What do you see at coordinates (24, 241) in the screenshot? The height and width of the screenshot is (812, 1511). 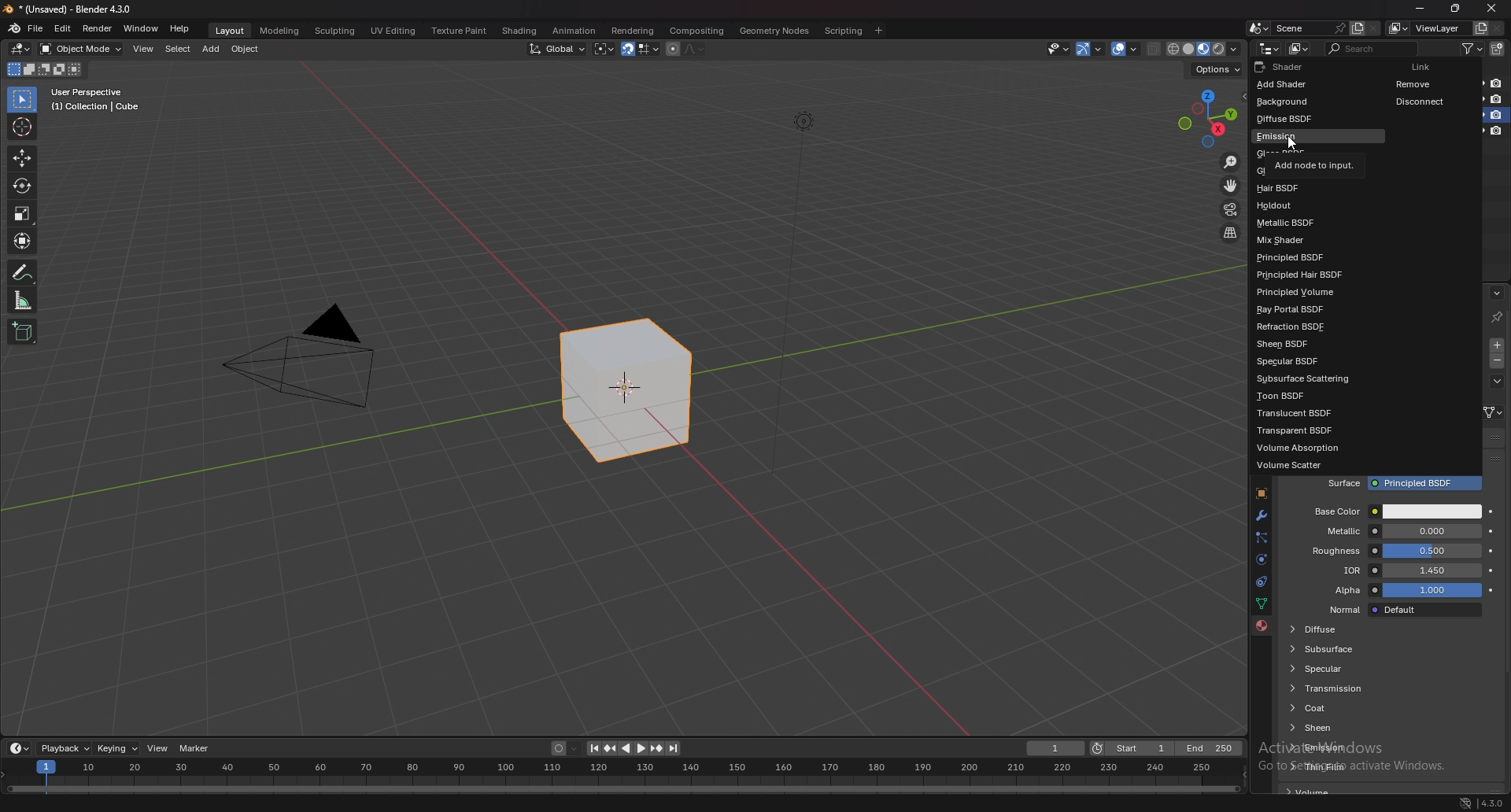 I see `transform` at bounding box center [24, 241].